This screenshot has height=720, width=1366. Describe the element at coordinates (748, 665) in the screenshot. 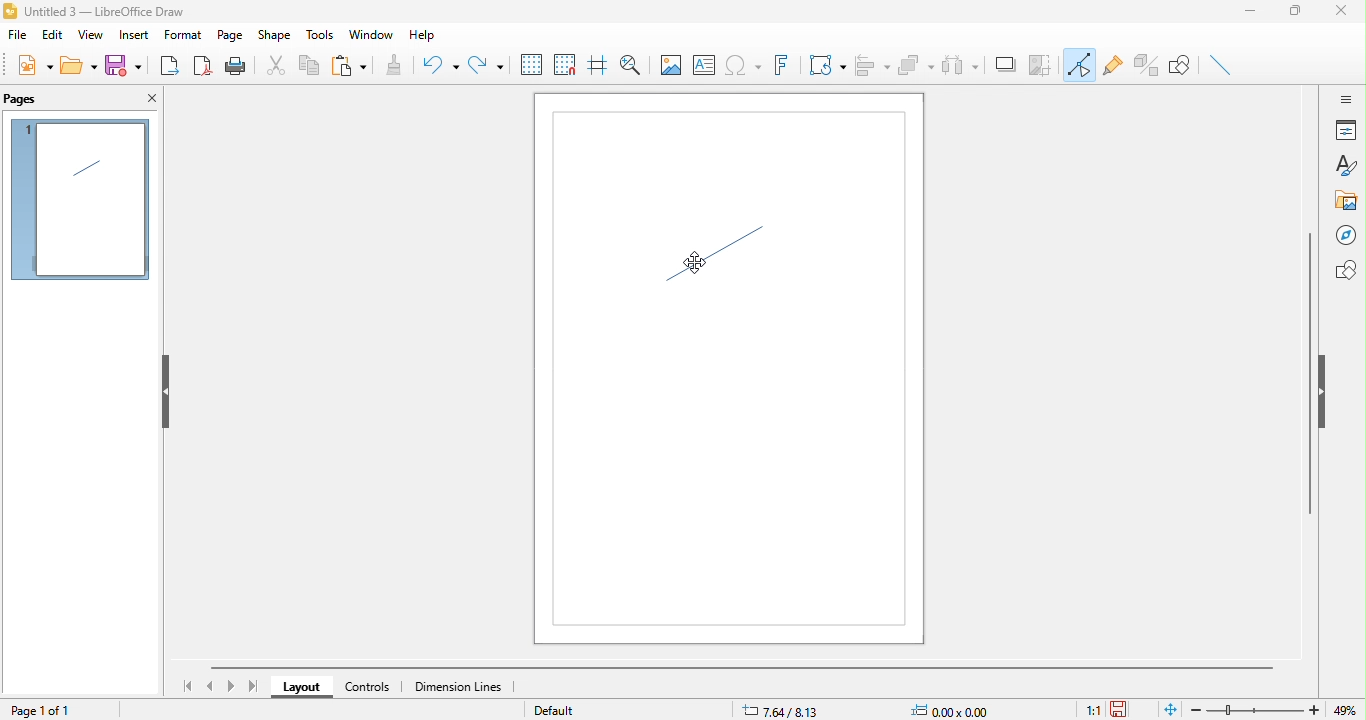

I see `horizontal scroll bar` at that location.